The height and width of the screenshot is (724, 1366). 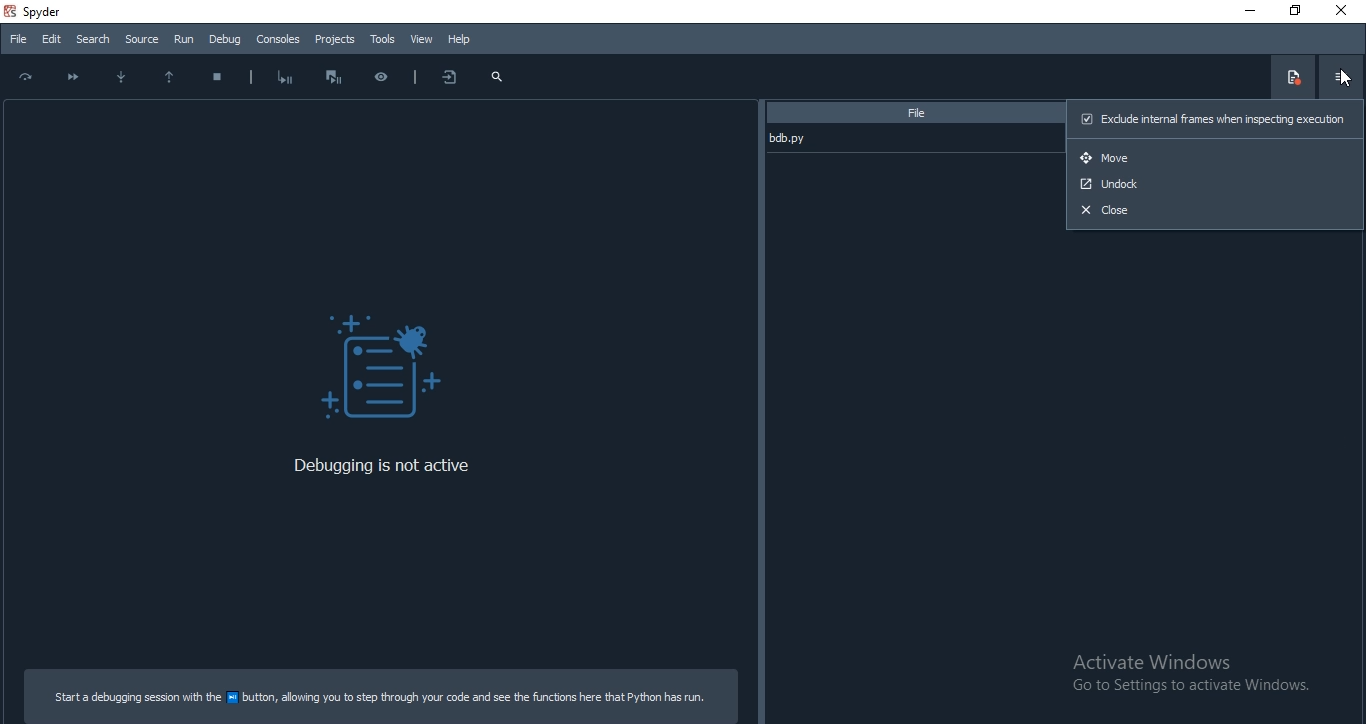 What do you see at coordinates (446, 76) in the screenshot?
I see `more` at bounding box center [446, 76].